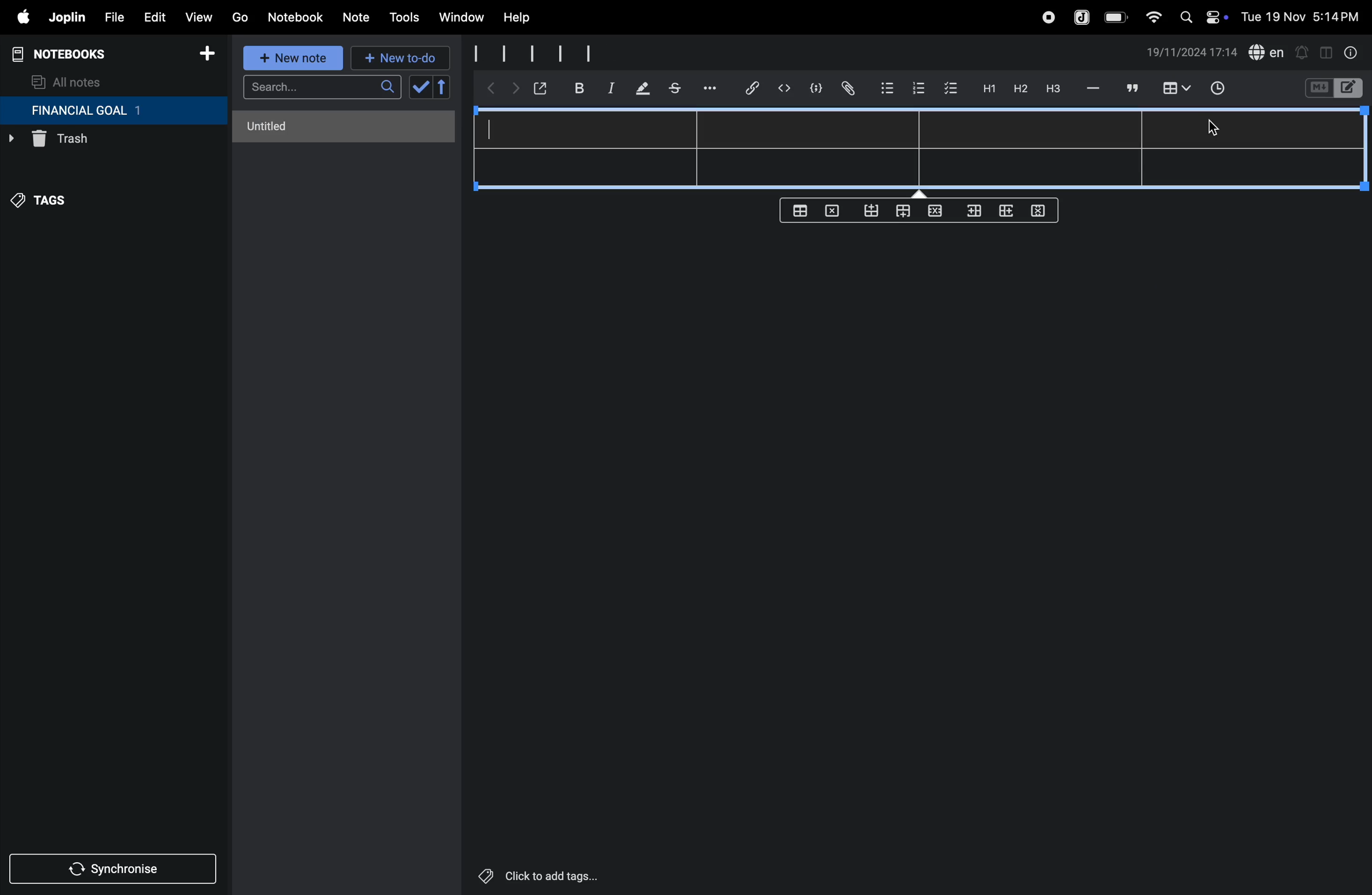  Describe the element at coordinates (1192, 52) in the screenshot. I see `date and time` at that location.